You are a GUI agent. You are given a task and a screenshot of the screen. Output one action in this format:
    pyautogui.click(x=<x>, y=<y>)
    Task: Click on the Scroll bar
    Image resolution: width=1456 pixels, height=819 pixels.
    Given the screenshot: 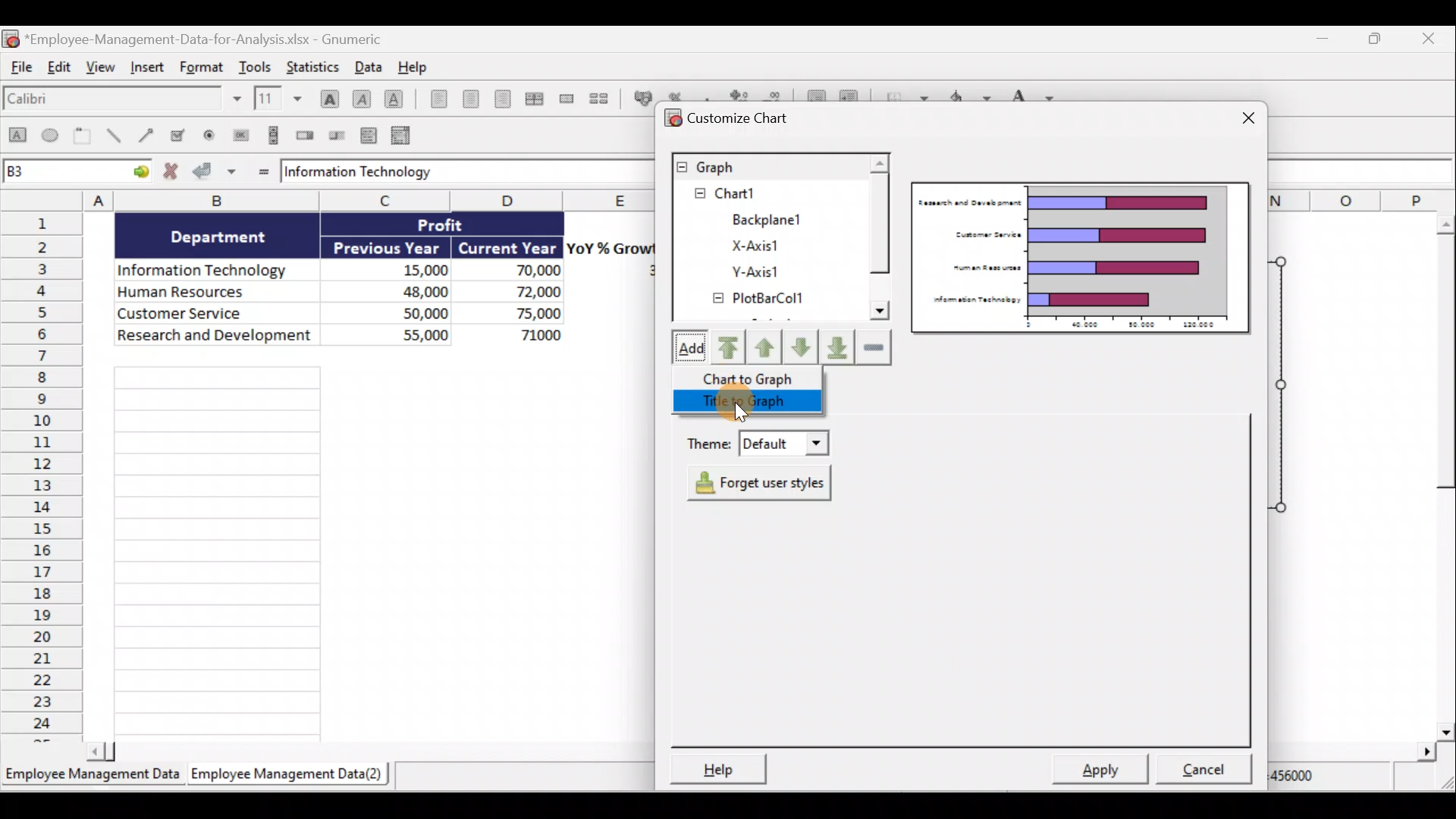 What is the action you would take?
    pyautogui.click(x=1439, y=473)
    